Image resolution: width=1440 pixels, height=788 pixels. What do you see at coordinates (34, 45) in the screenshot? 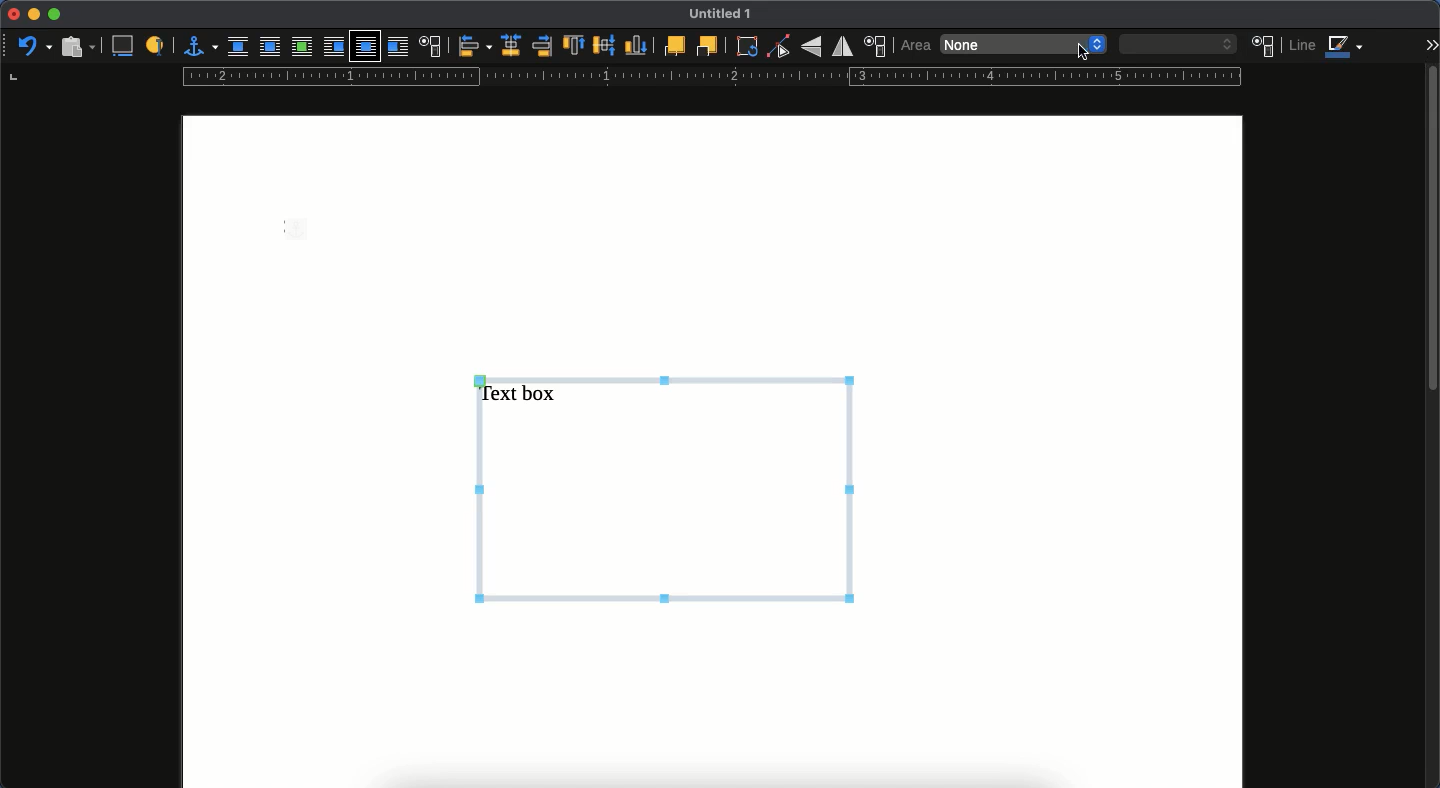
I see `undo` at bounding box center [34, 45].